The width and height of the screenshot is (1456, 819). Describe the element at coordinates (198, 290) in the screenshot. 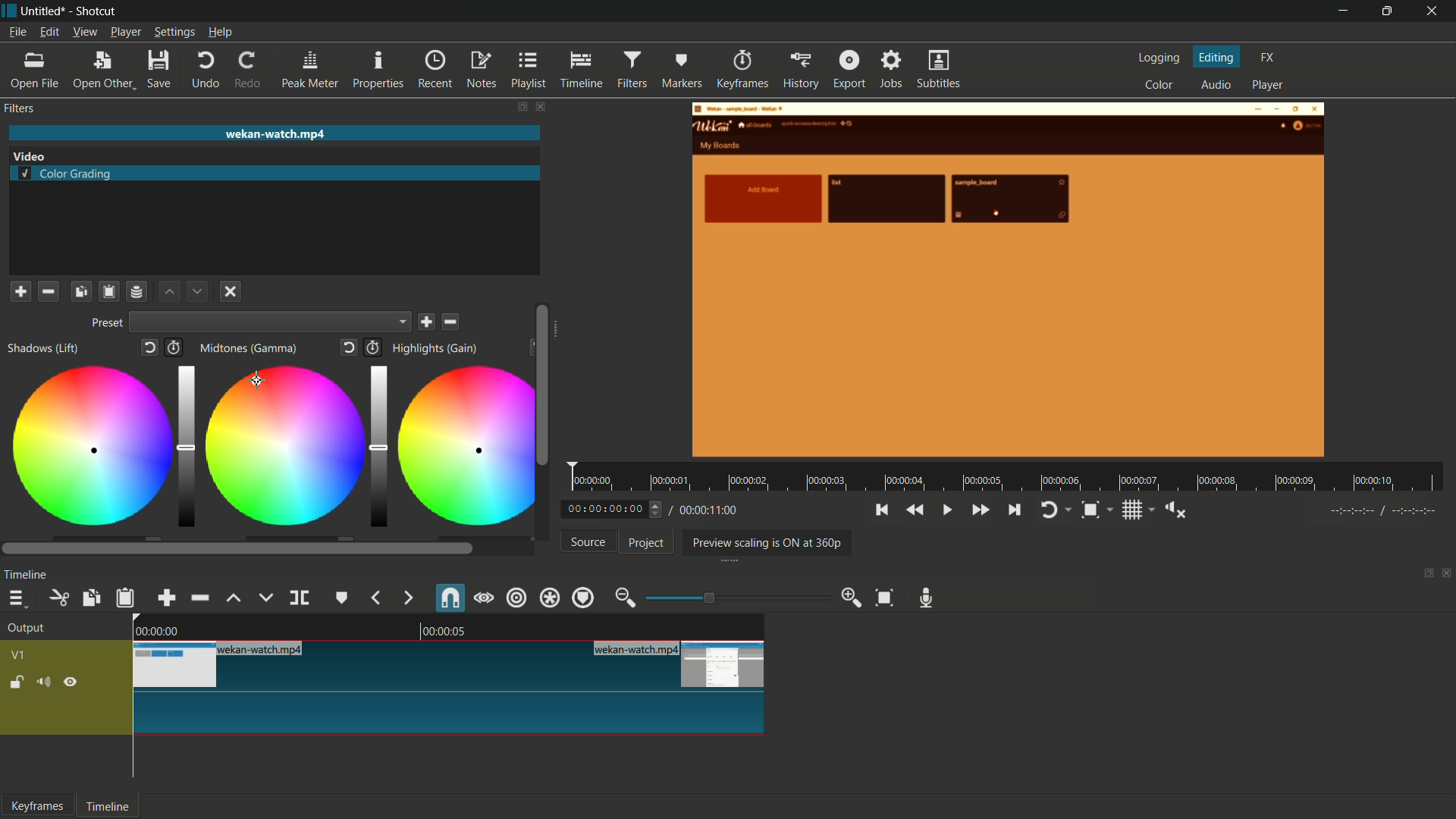

I see `move filter down` at that location.